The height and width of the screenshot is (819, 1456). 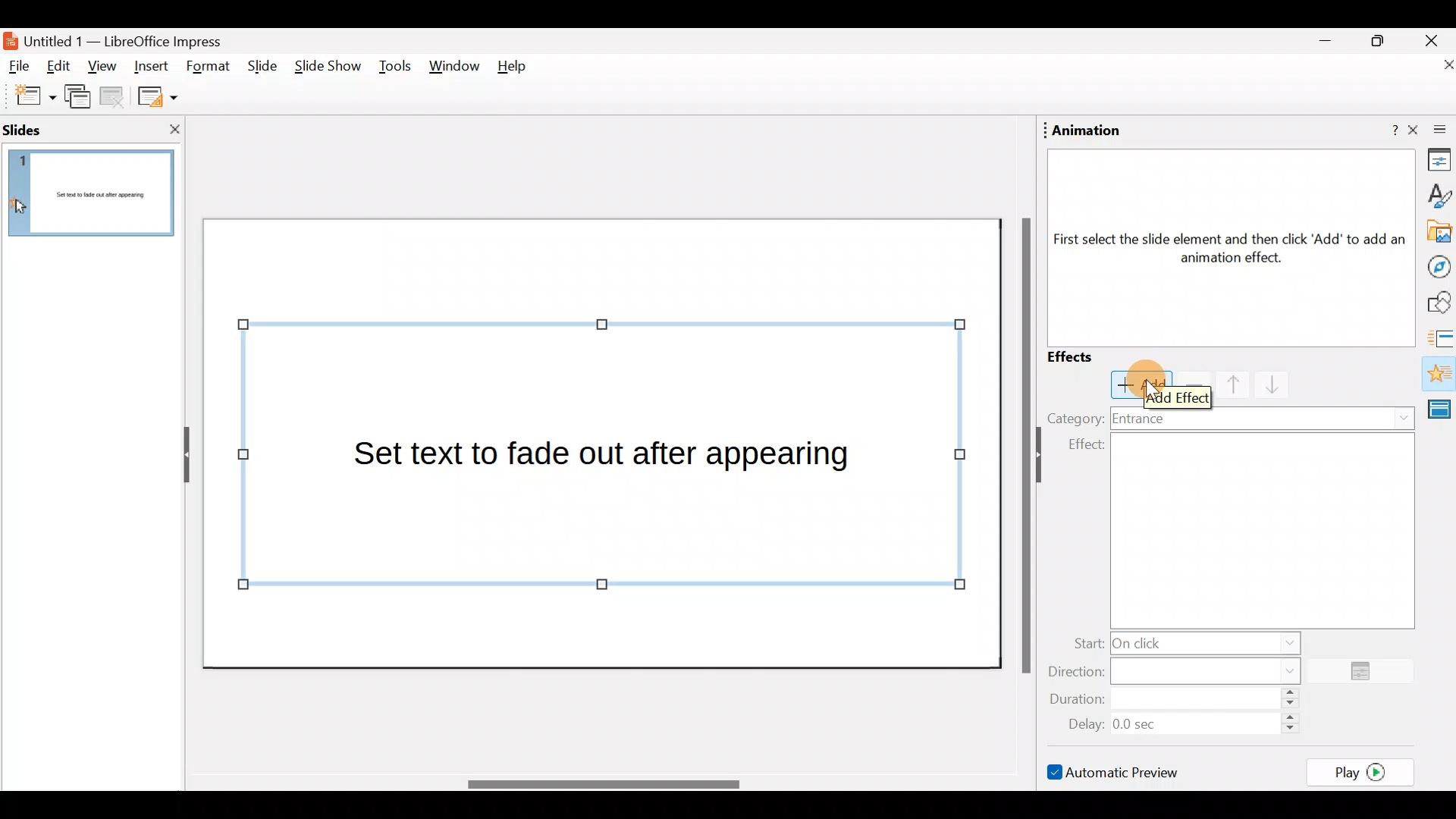 What do you see at coordinates (1365, 771) in the screenshot?
I see `Play` at bounding box center [1365, 771].